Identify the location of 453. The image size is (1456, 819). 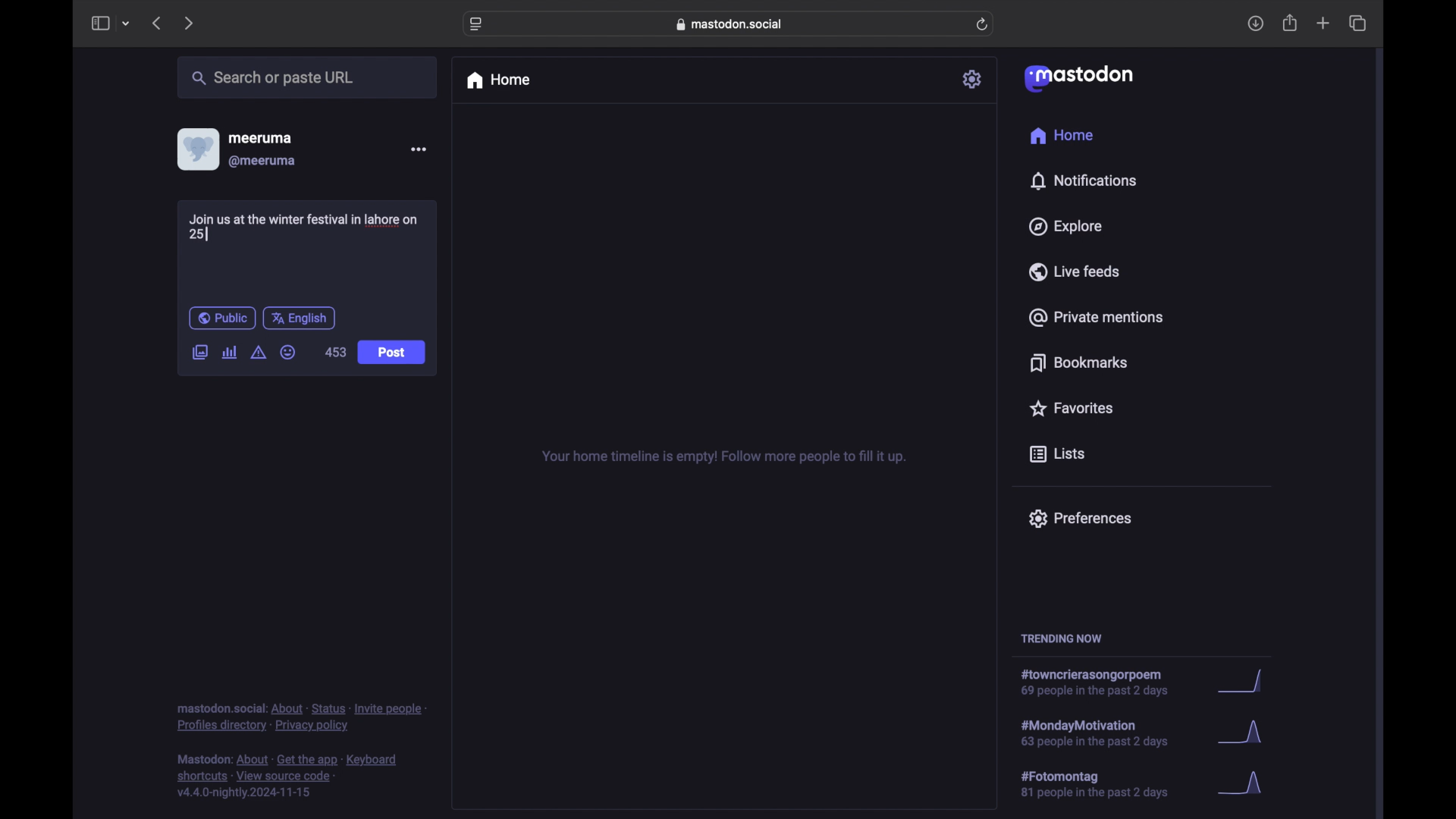
(334, 352).